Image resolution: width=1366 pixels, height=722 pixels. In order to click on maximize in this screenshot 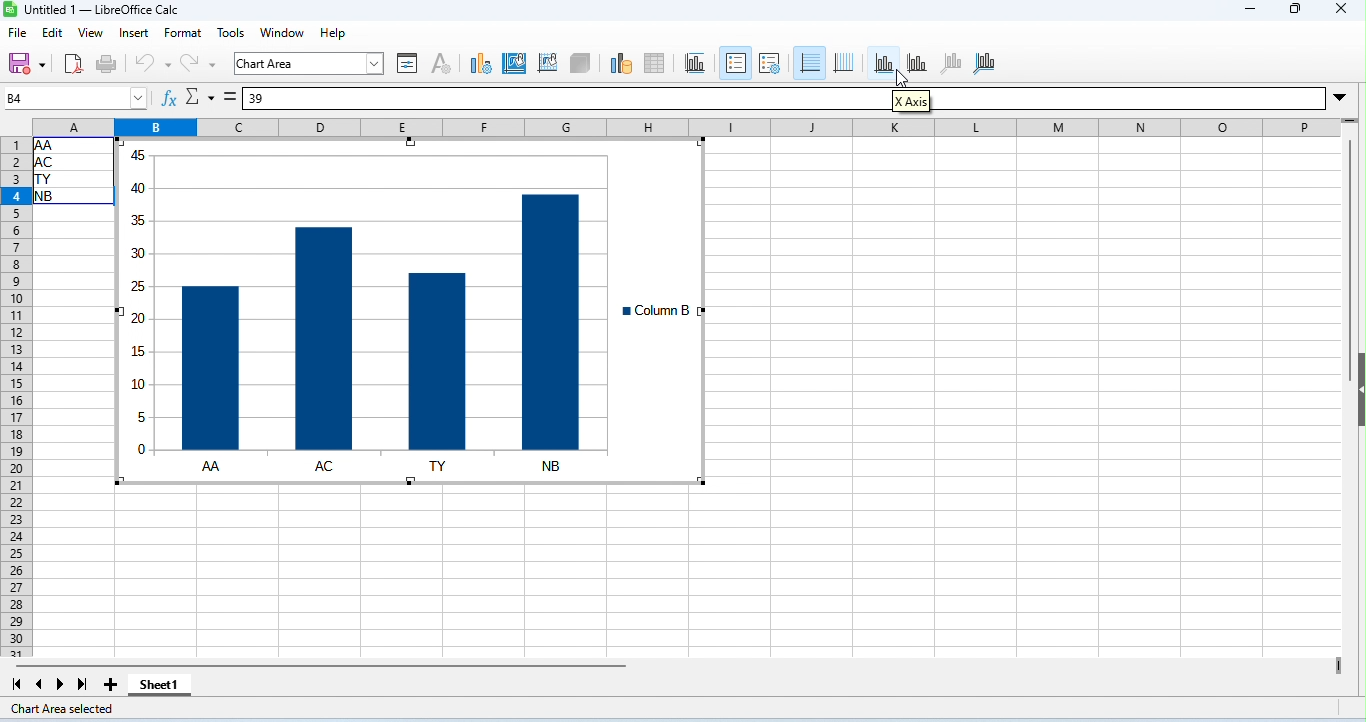, I will do `click(1293, 10)`.